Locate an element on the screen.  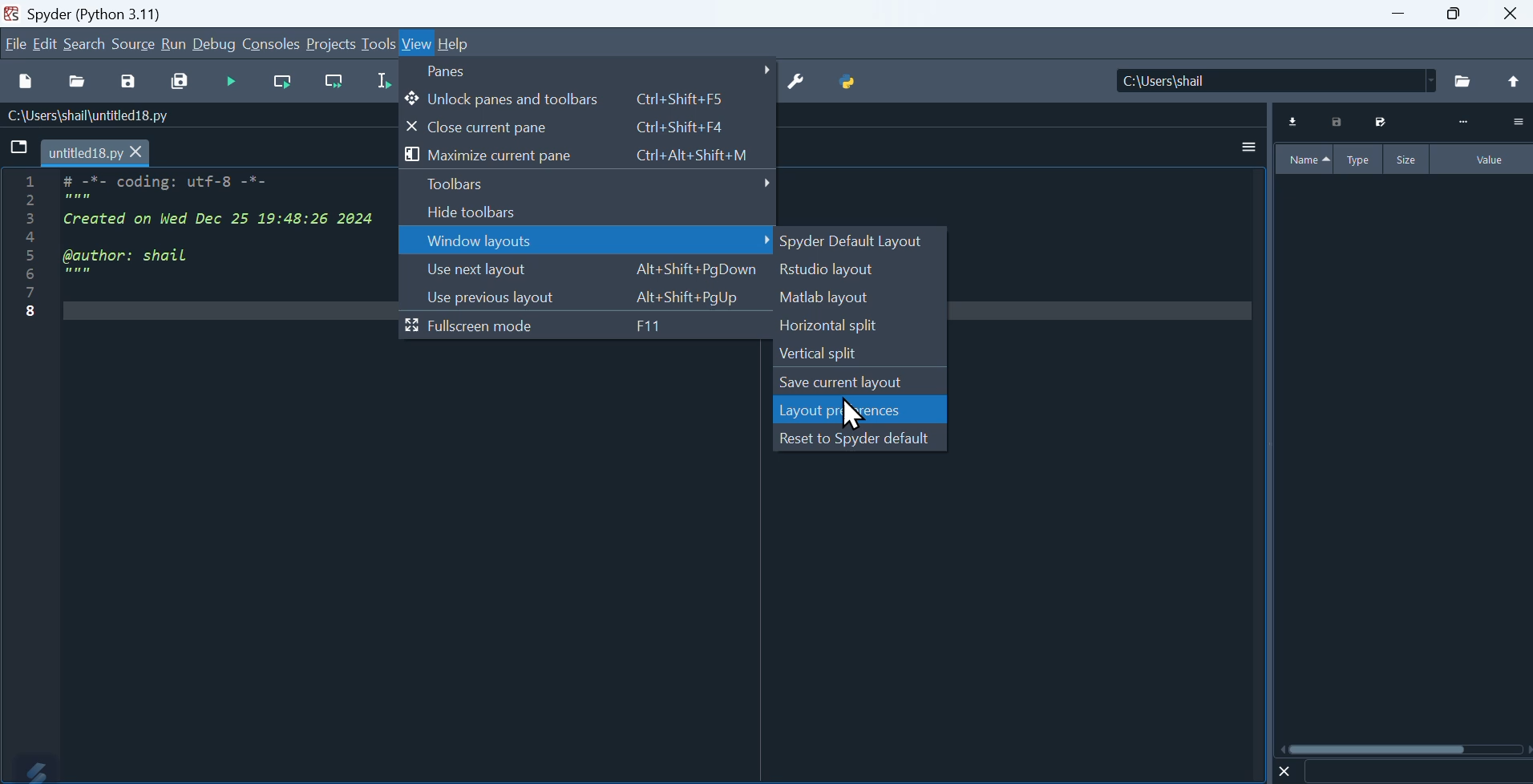
Close is located at coordinates (1512, 14).